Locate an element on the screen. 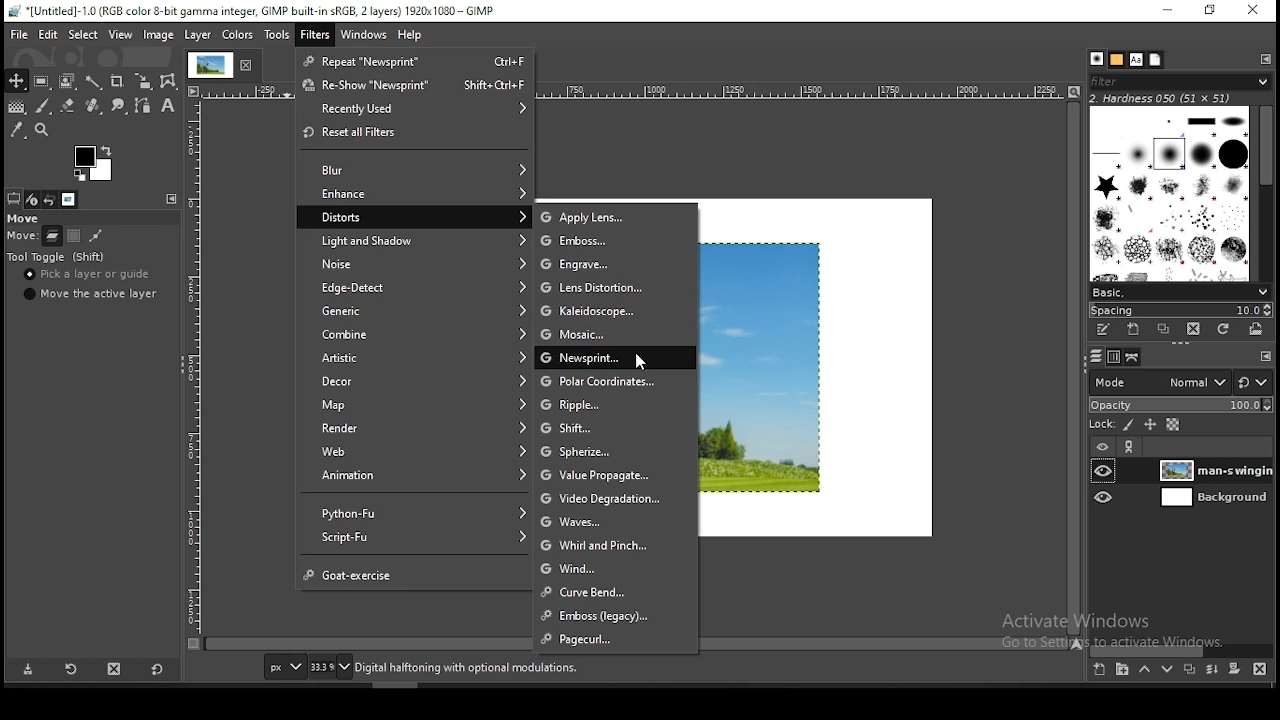  select is located at coordinates (83, 35).